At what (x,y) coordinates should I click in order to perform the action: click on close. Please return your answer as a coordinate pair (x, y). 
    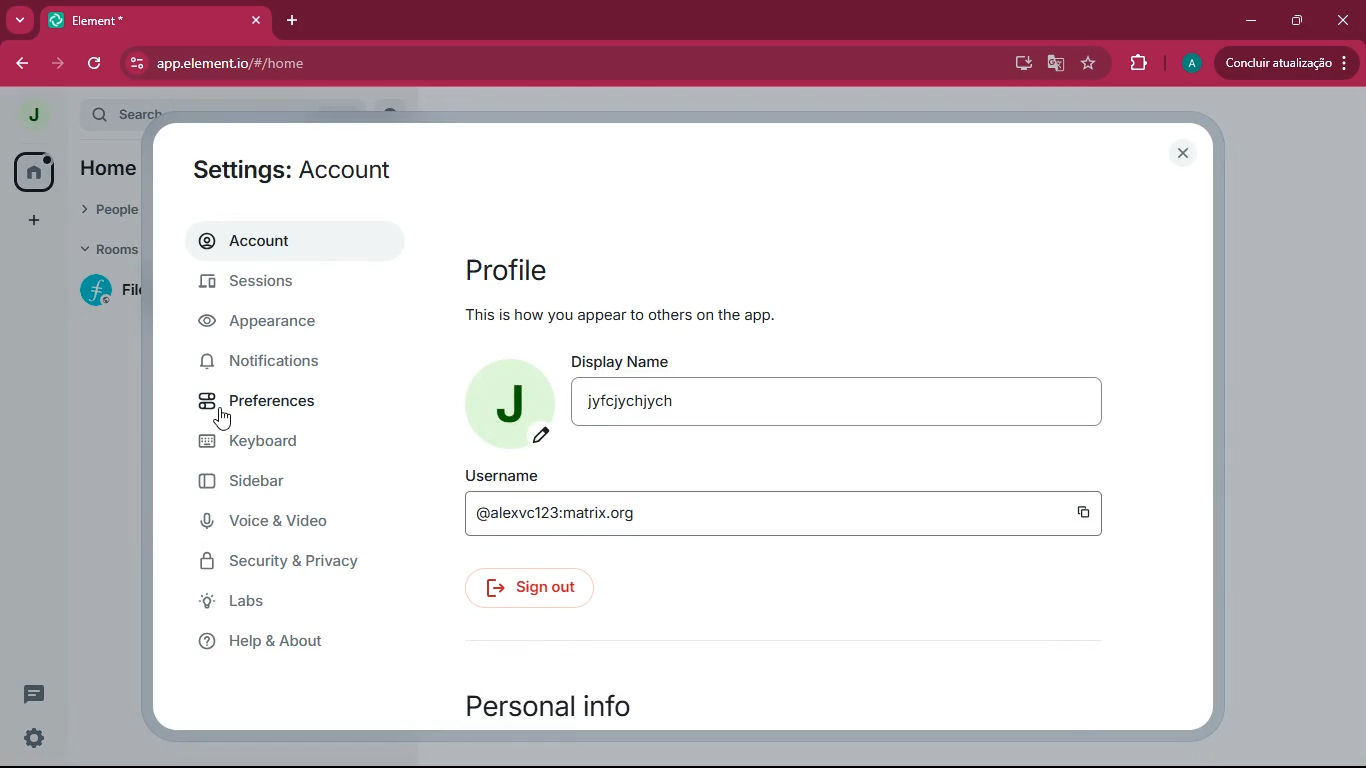
    Looking at the image, I should click on (1343, 21).